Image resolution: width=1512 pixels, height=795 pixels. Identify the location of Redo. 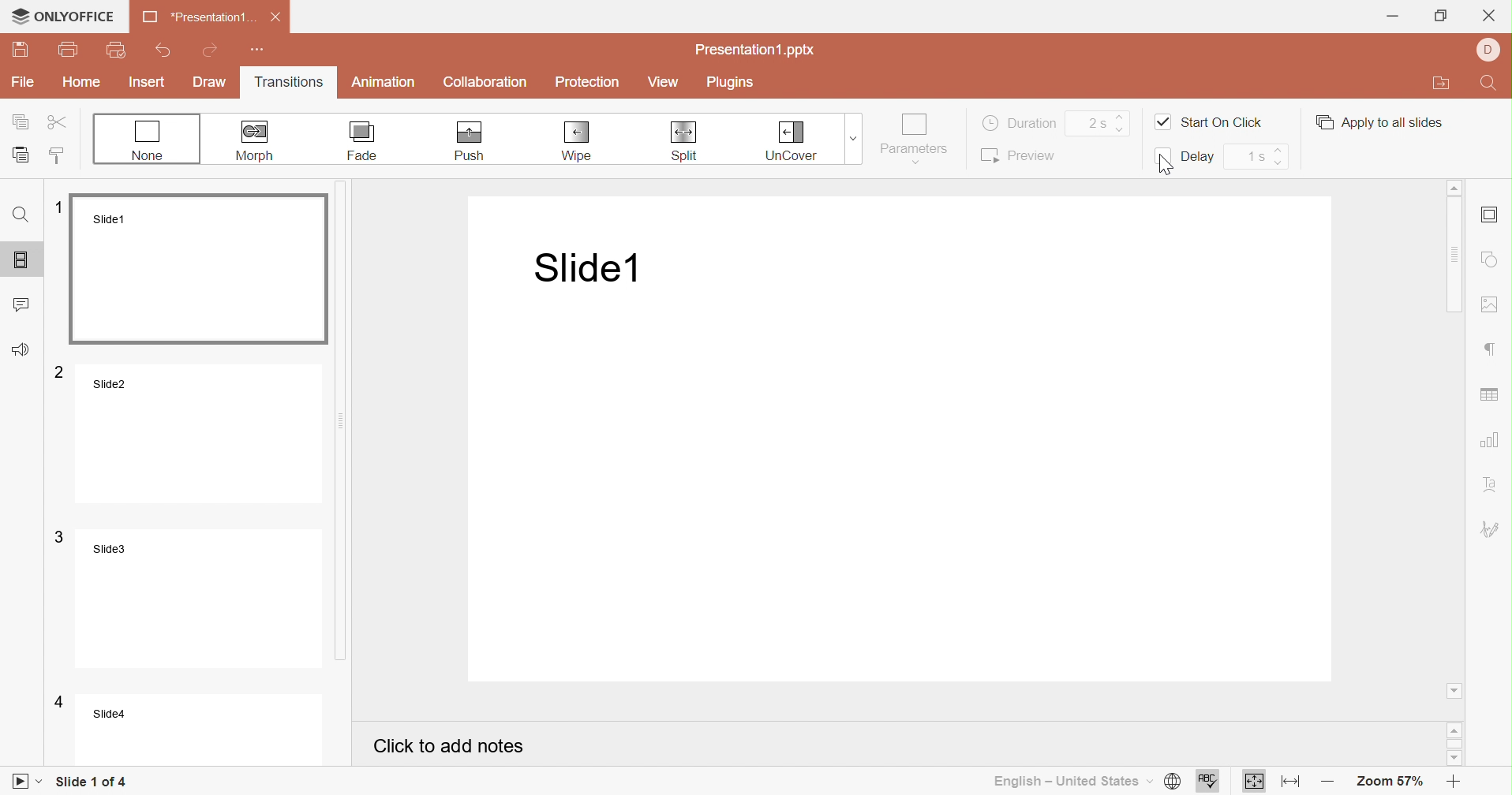
(211, 50).